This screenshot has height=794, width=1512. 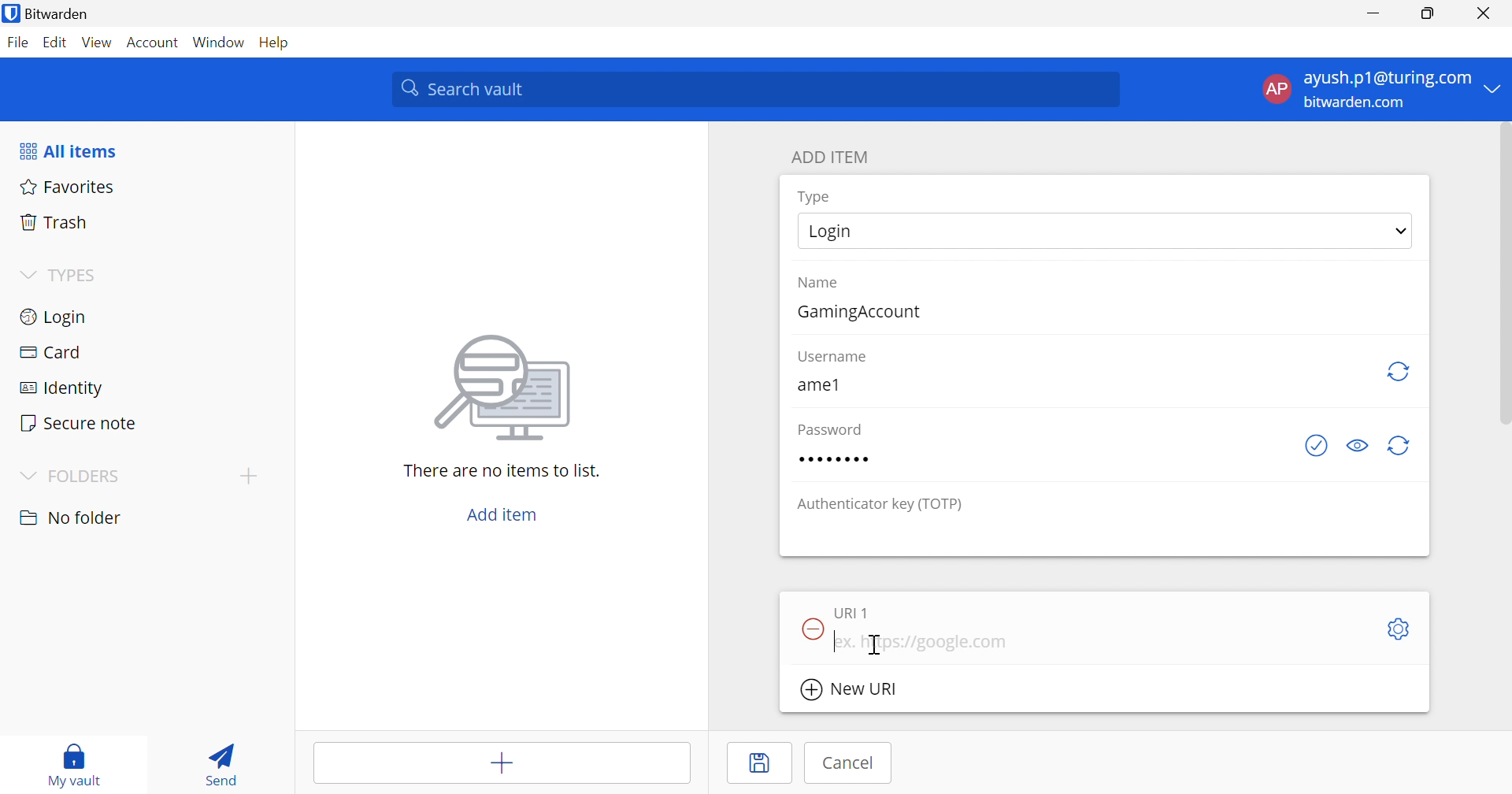 What do you see at coordinates (220, 762) in the screenshot?
I see `Send` at bounding box center [220, 762].